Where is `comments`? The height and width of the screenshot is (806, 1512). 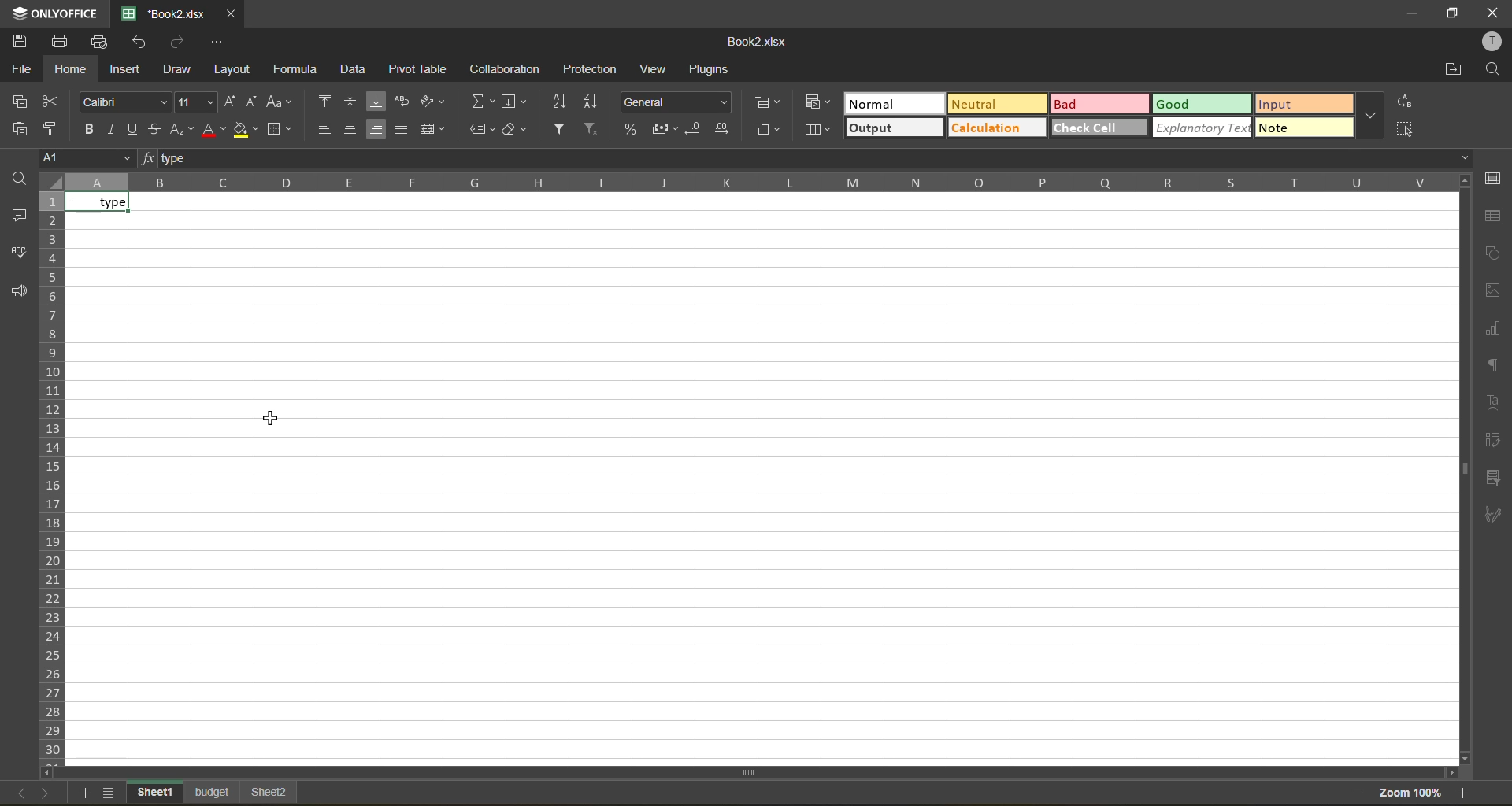 comments is located at coordinates (19, 216).